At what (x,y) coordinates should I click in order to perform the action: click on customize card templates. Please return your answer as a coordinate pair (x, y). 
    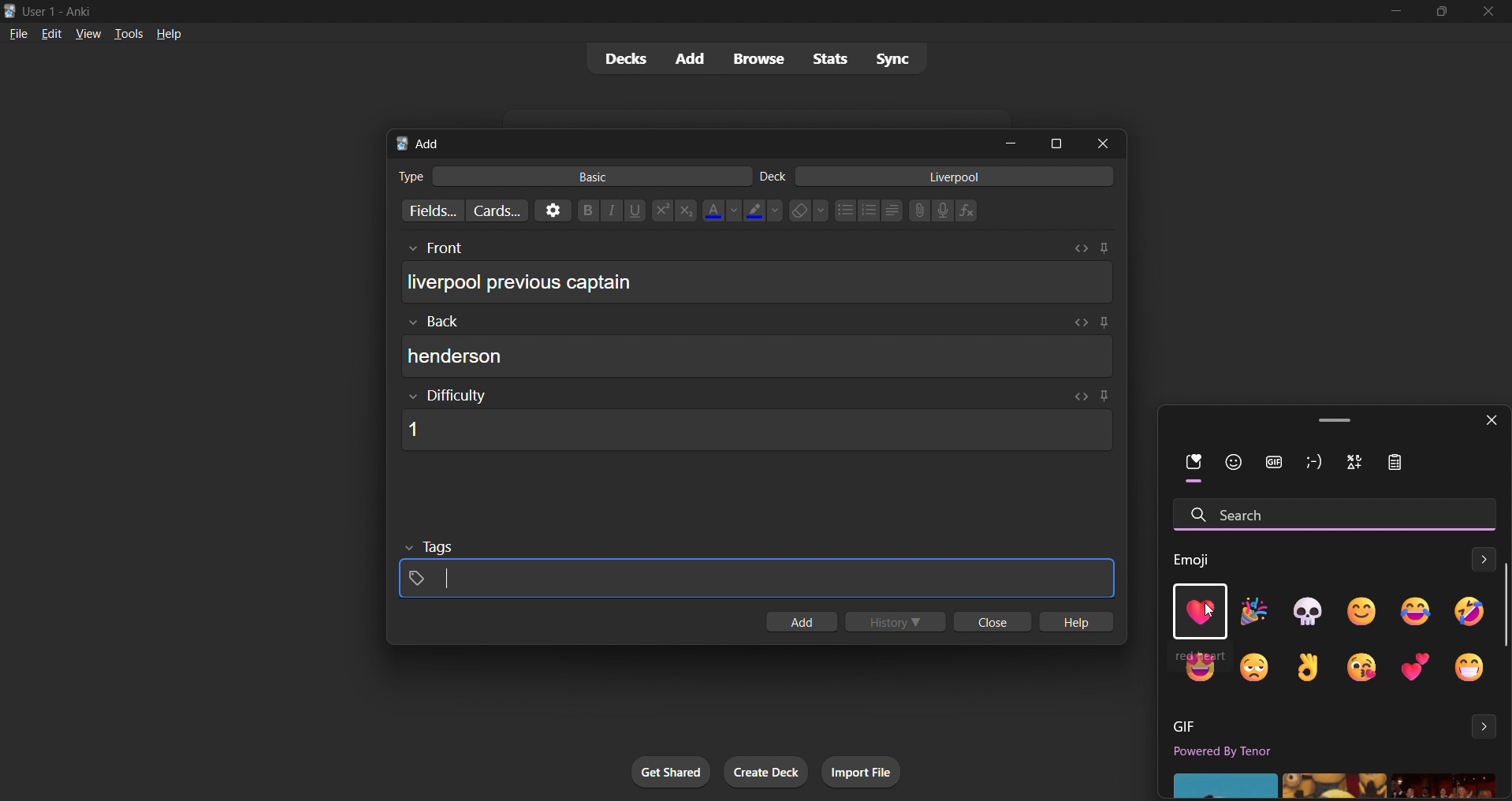
    Looking at the image, I should click on (495, 210).